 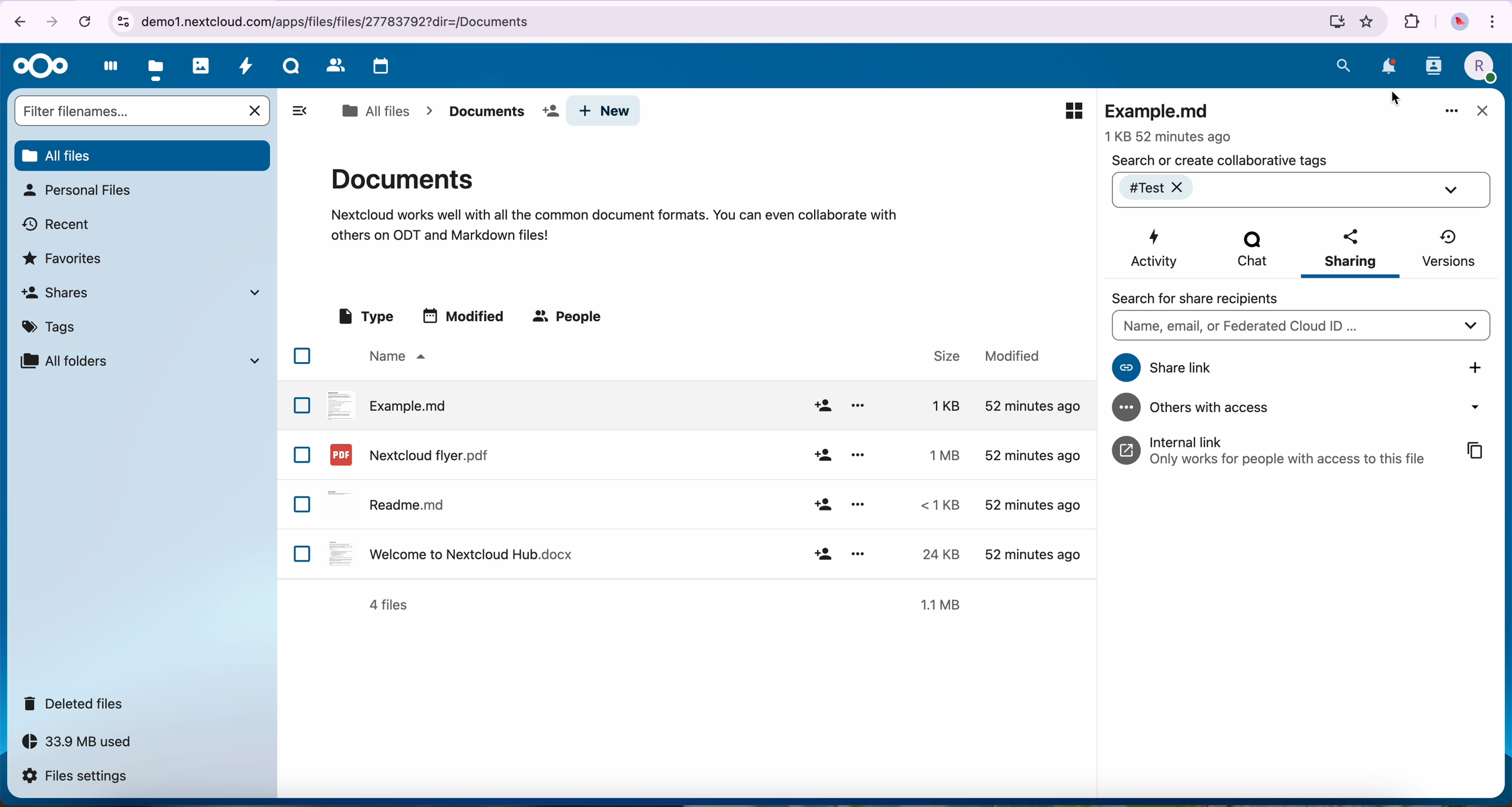 What do you see at coordinates (1275, 450) in the screenshot?
I see `internal link` at bounding box center [1275, 450].